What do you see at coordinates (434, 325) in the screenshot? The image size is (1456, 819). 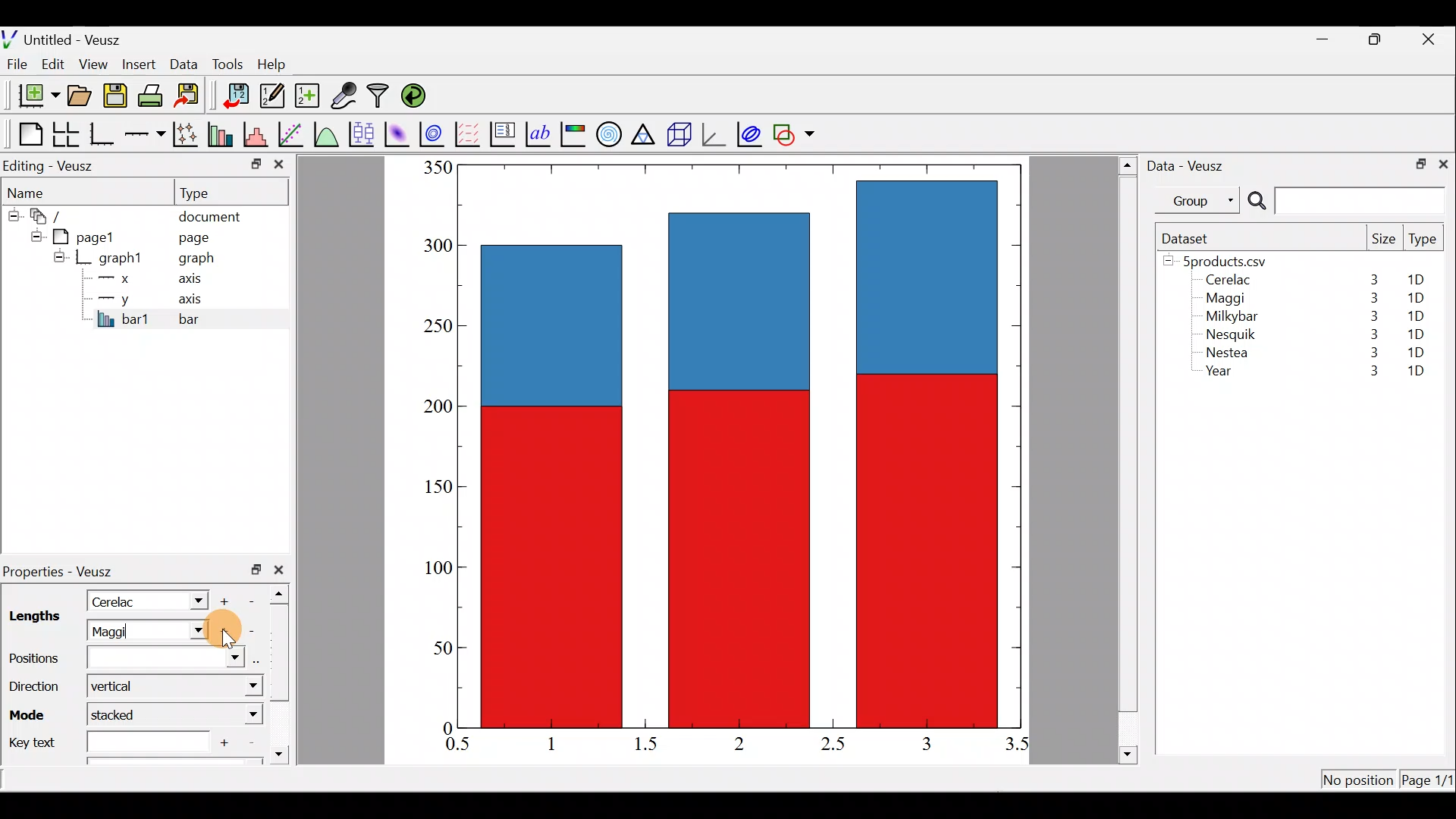 I see `250` at bounding box center [434, 325].